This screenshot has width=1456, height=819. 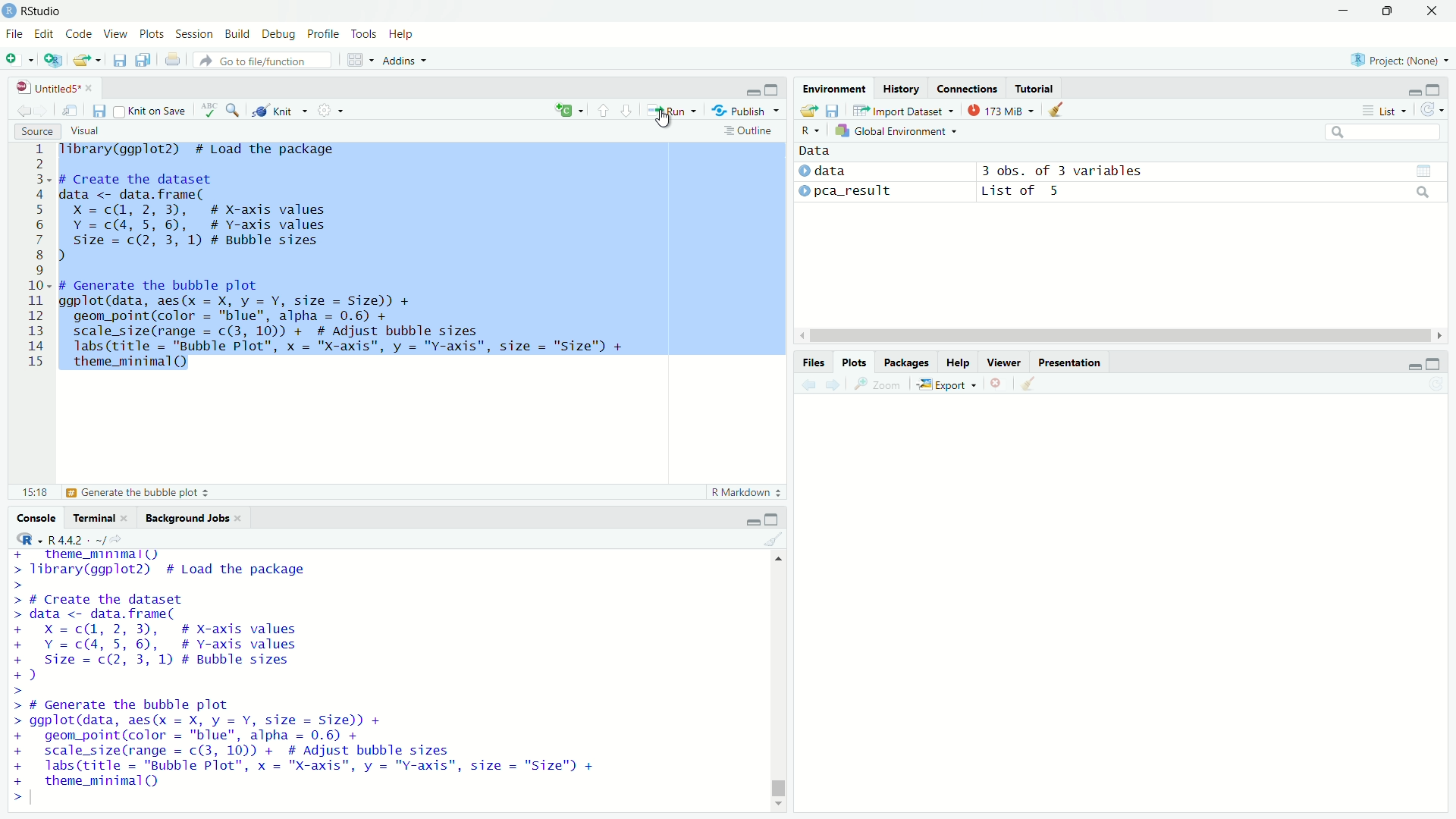 I want to click on go back, so click(x=24, y=109).